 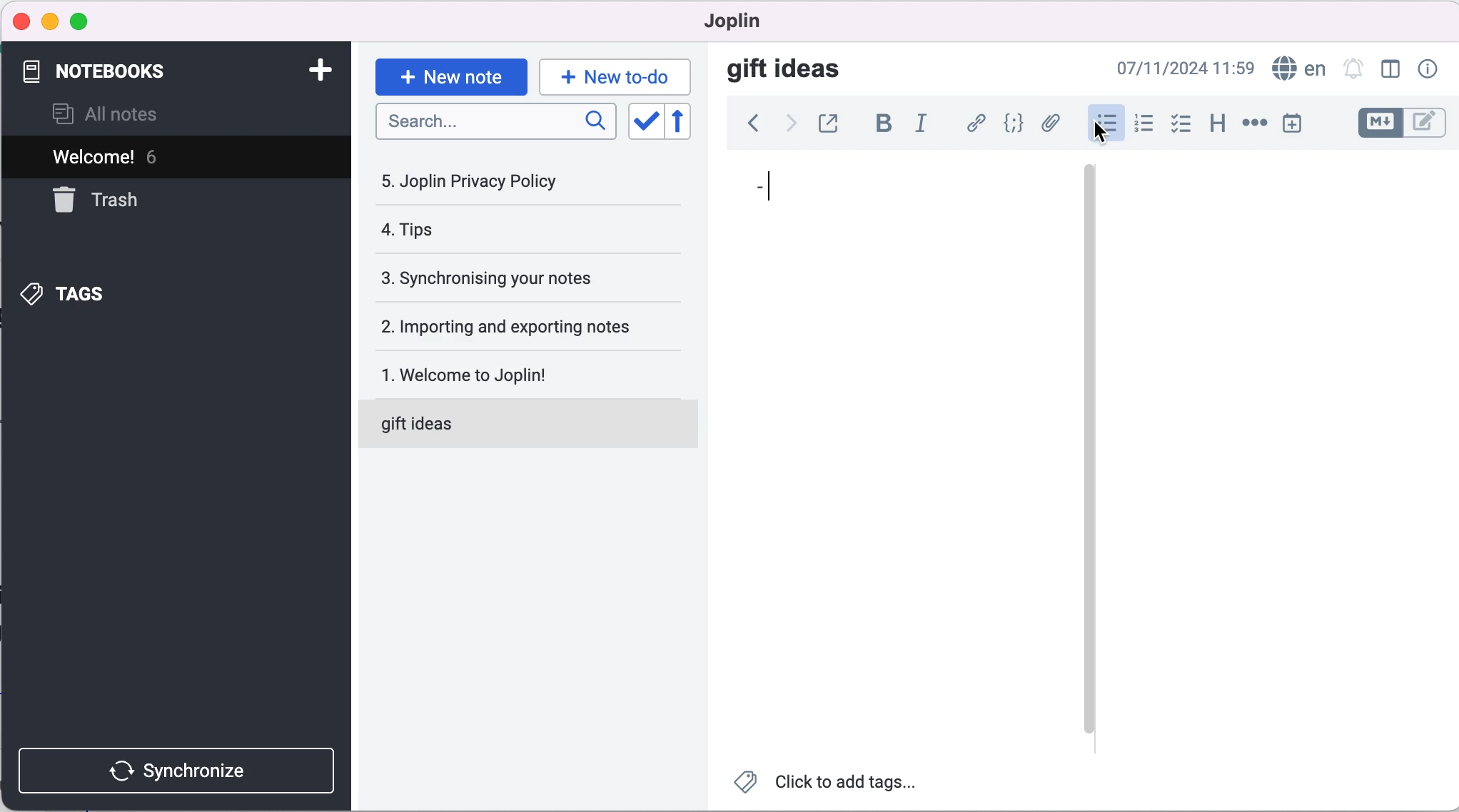 What do you see at coordinates (1104, 122) in the screenshot?
I see `bulleted list` at bounding box center [1104, 122].